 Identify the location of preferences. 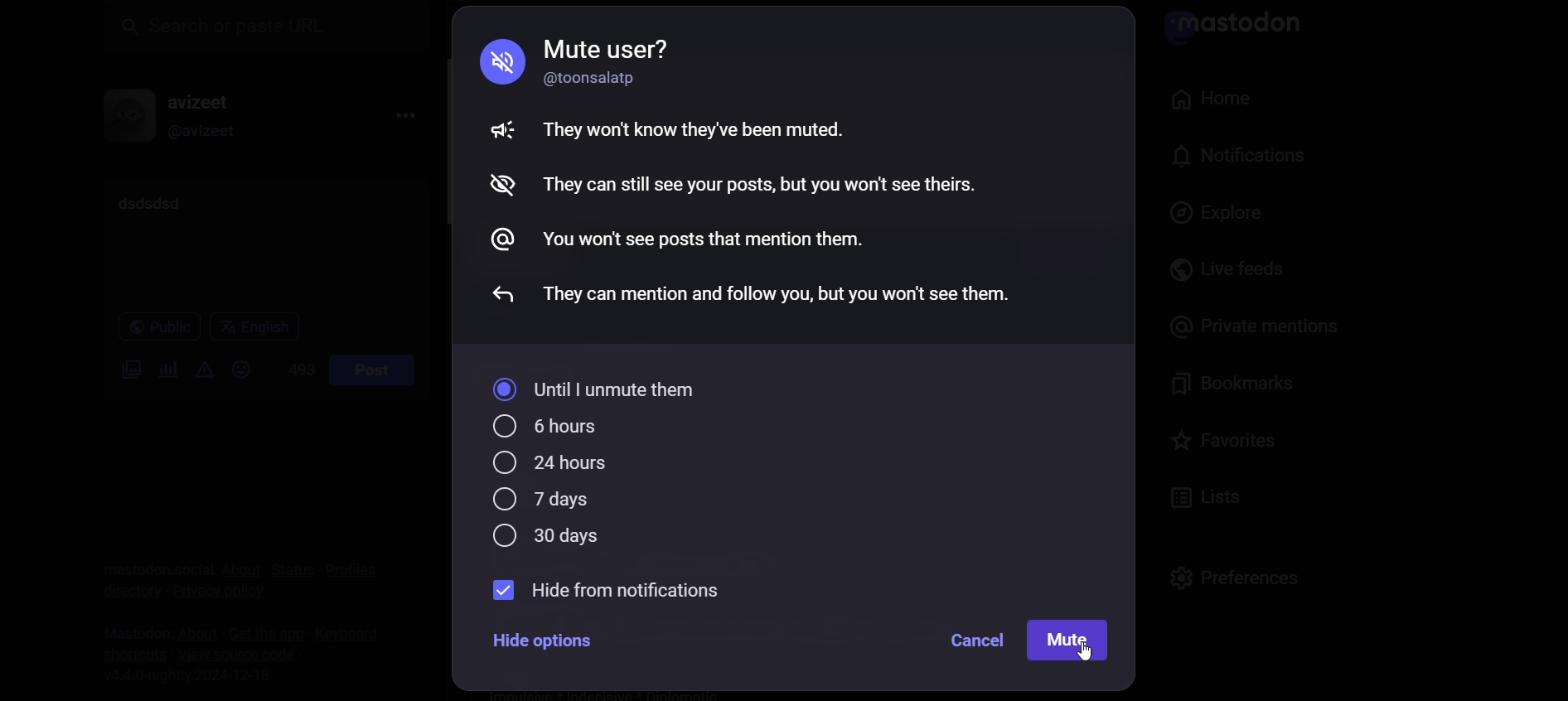
(1232, 575).